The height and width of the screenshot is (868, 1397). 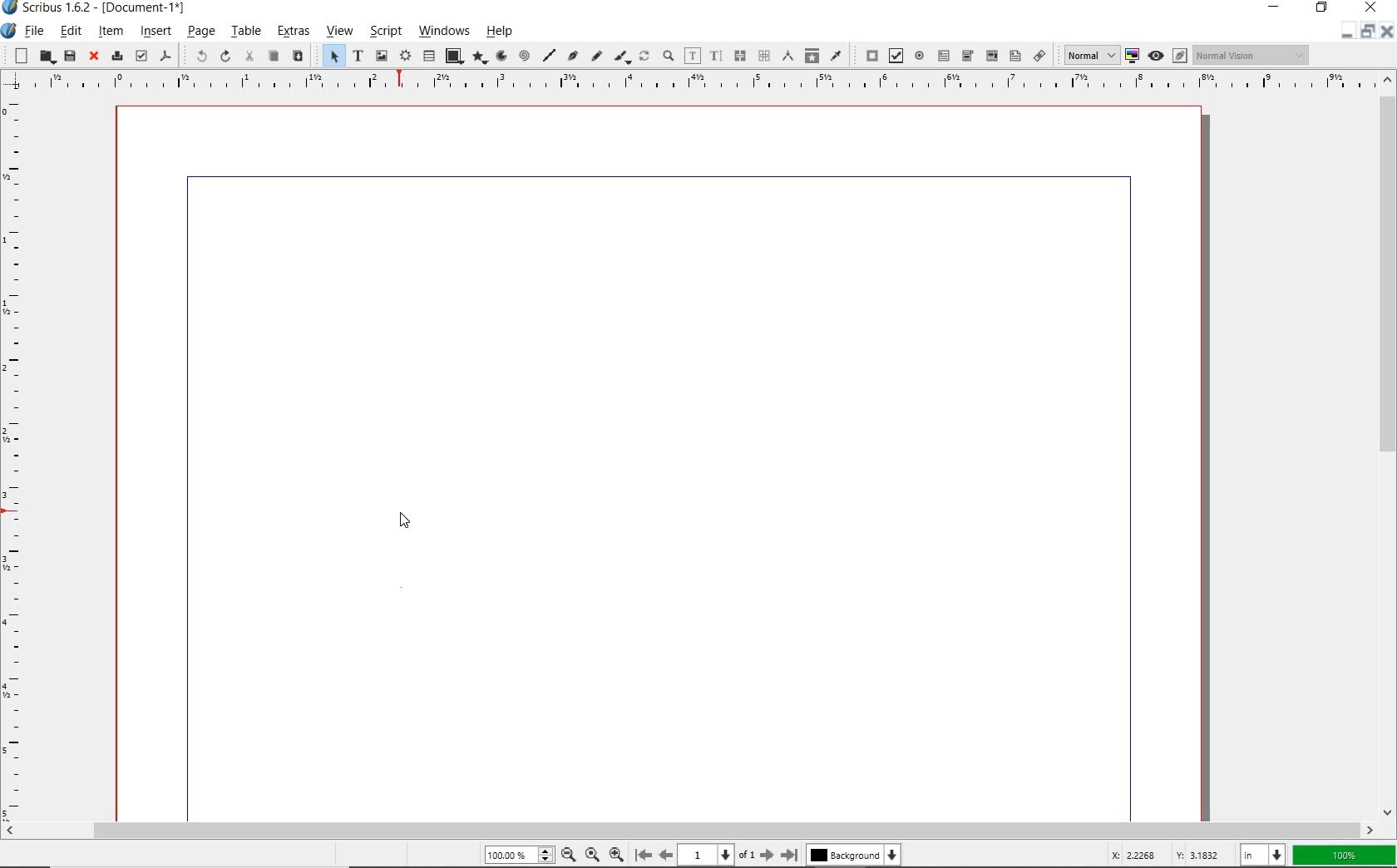 I want to click on eye dropper, so click(x=837, y=55).